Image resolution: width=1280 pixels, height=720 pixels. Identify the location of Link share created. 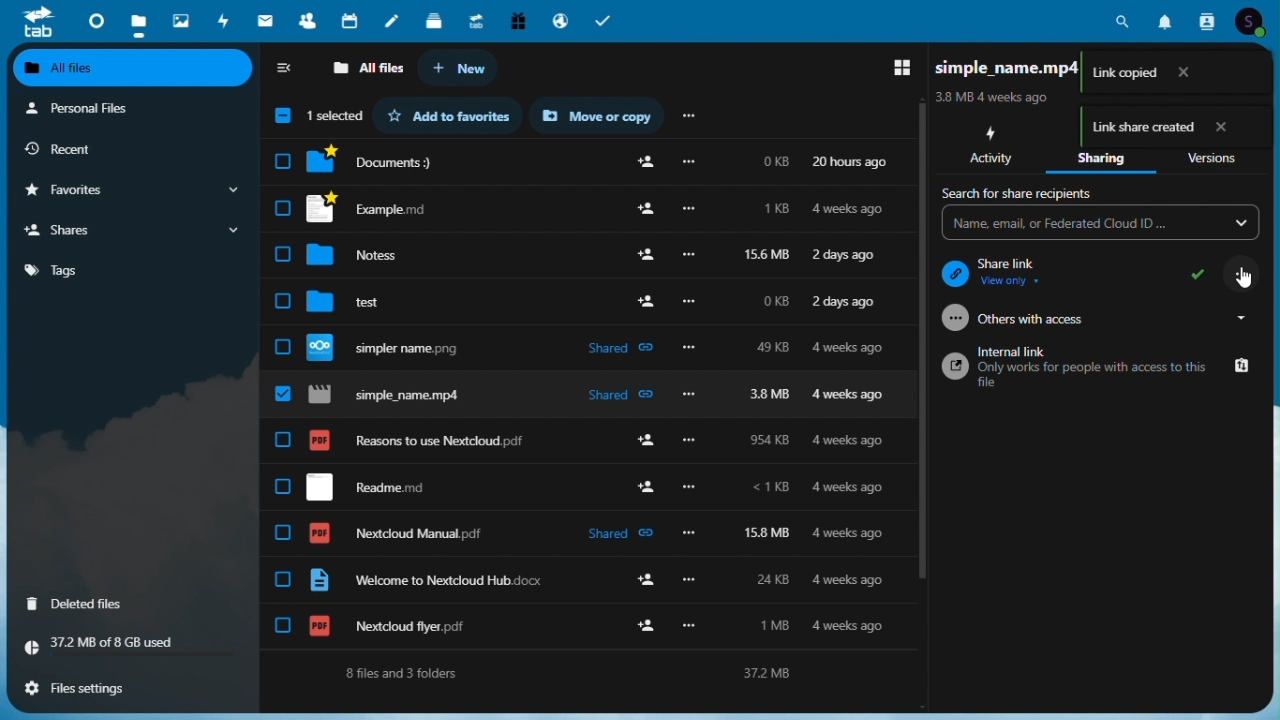
(1171, 127).